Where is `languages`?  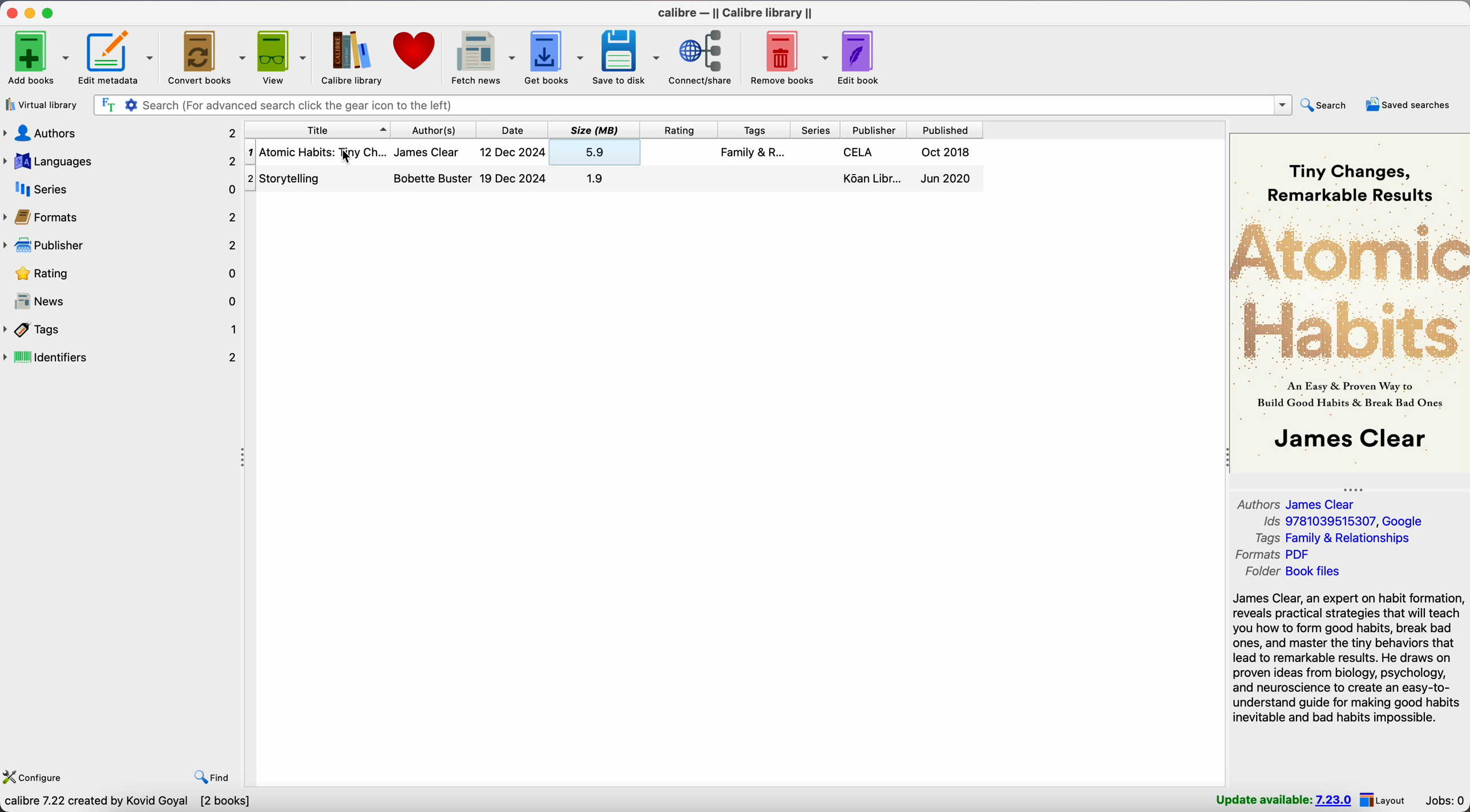 languages is located at coordinates (122, 161).